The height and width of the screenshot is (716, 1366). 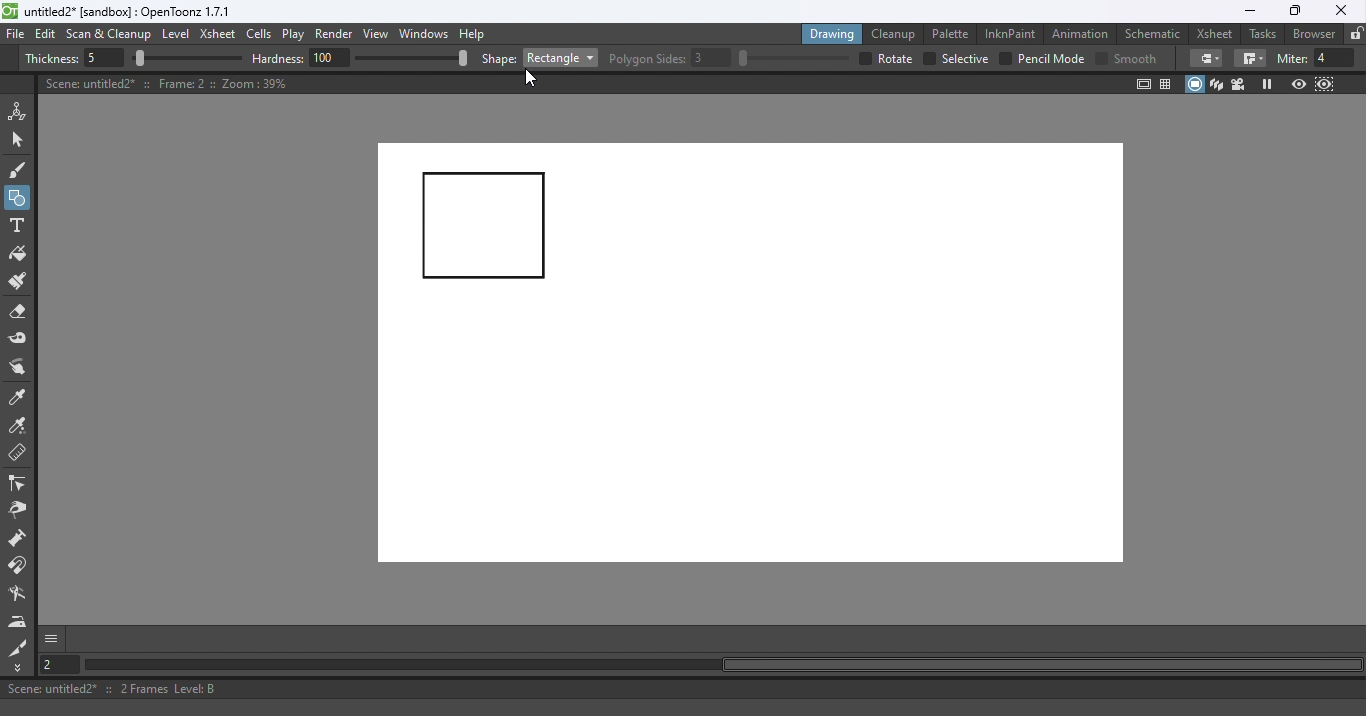 What do you see at coordinates (17, 513) in the screenshot?
I see `Pinch tool` at bounding box center [17, 513].